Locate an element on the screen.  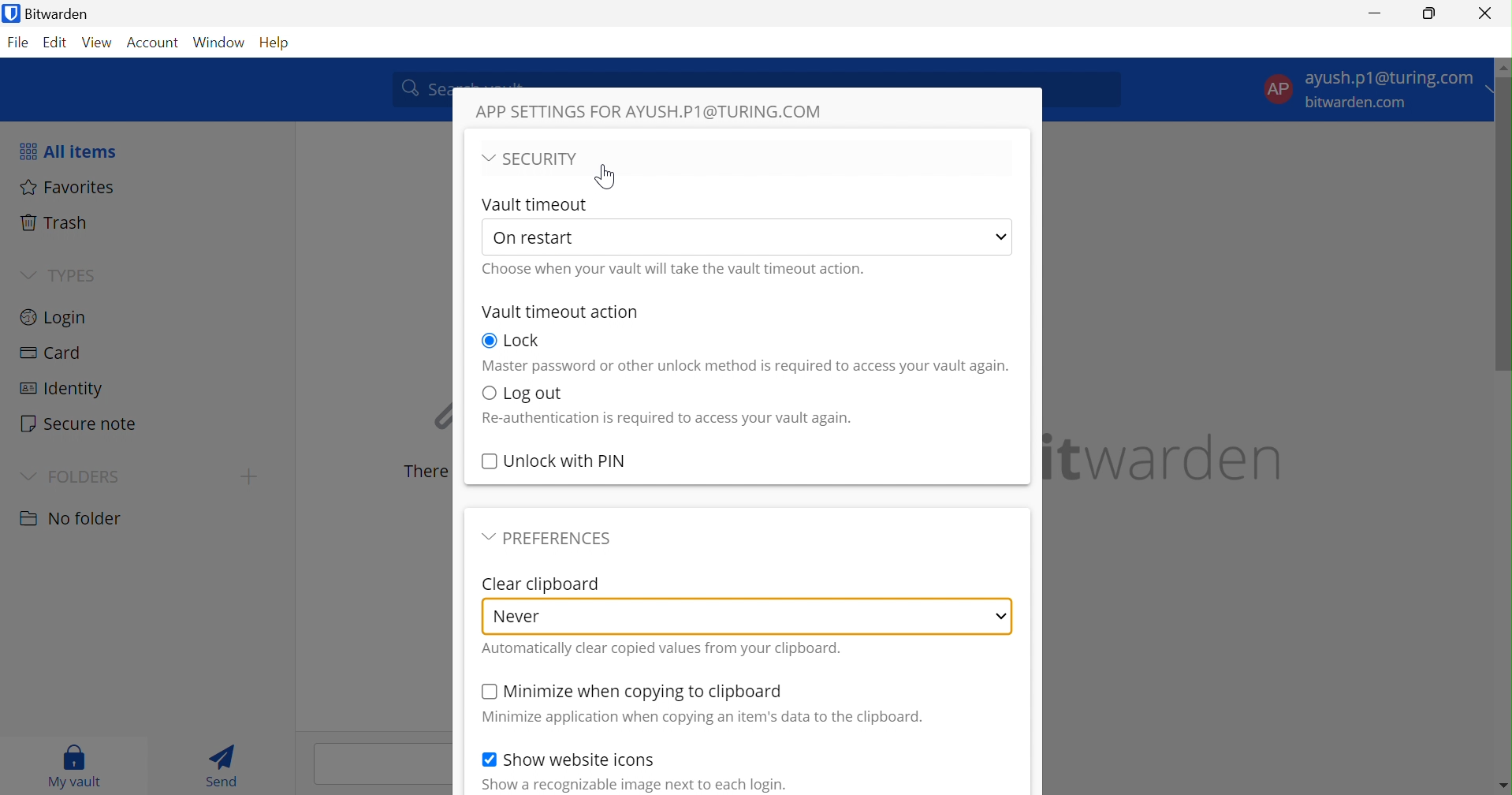
move down is located at coordinates (1503, 786).